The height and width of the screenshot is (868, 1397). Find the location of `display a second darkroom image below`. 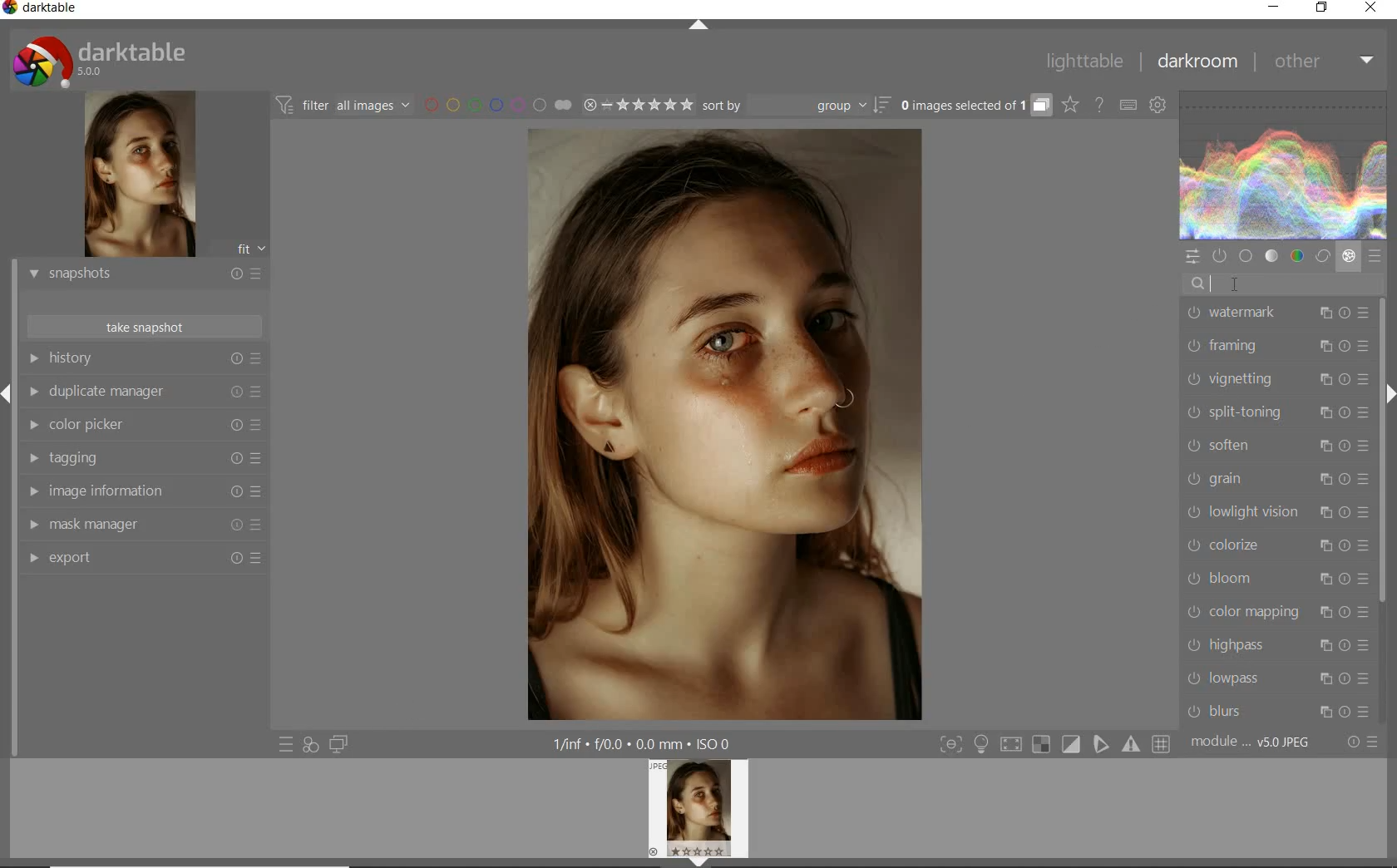

display a second darkroom image below is located at coordinates (336, 745).